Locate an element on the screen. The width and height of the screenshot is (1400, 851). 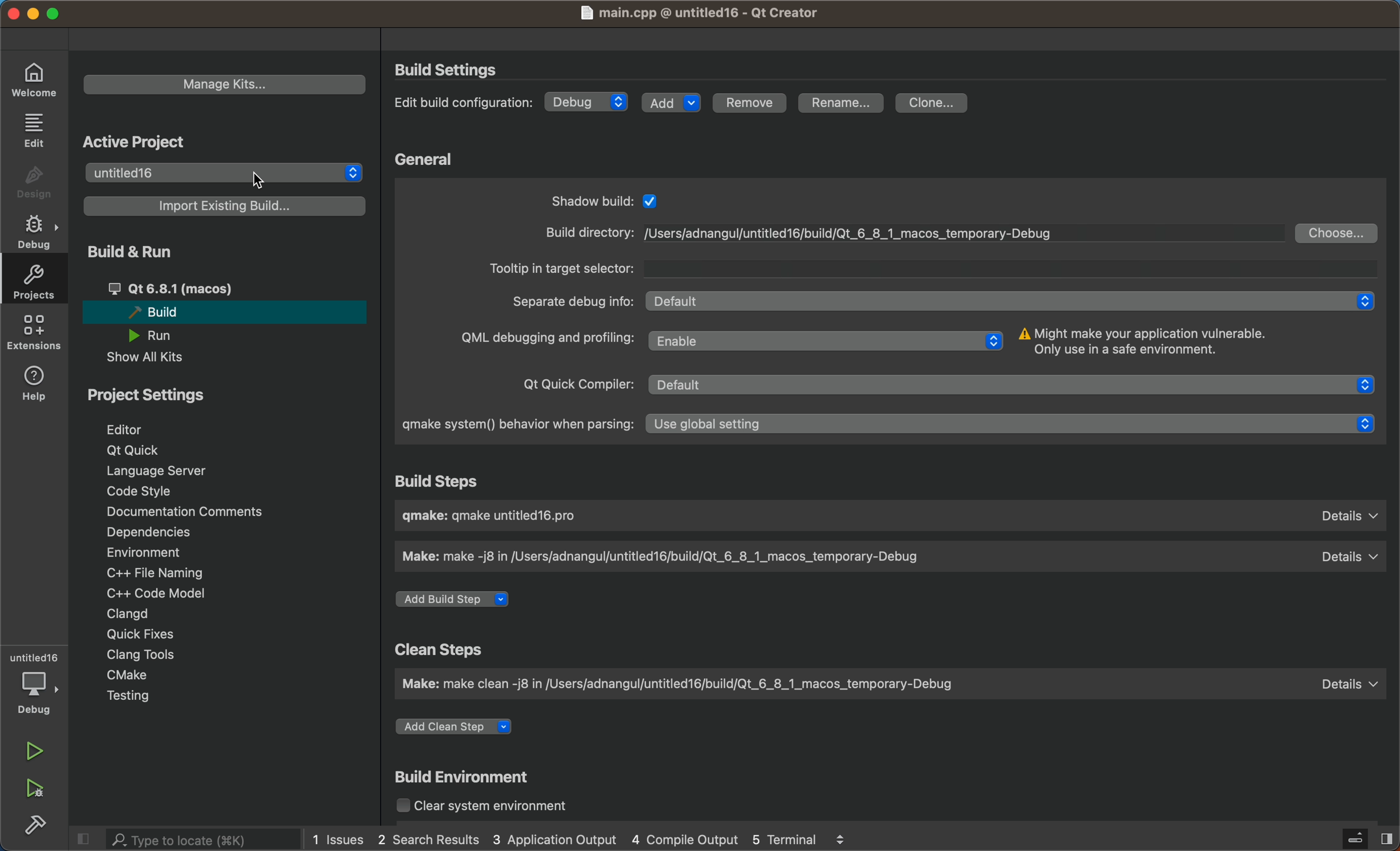
cursor is located at coordinates (256, 180).